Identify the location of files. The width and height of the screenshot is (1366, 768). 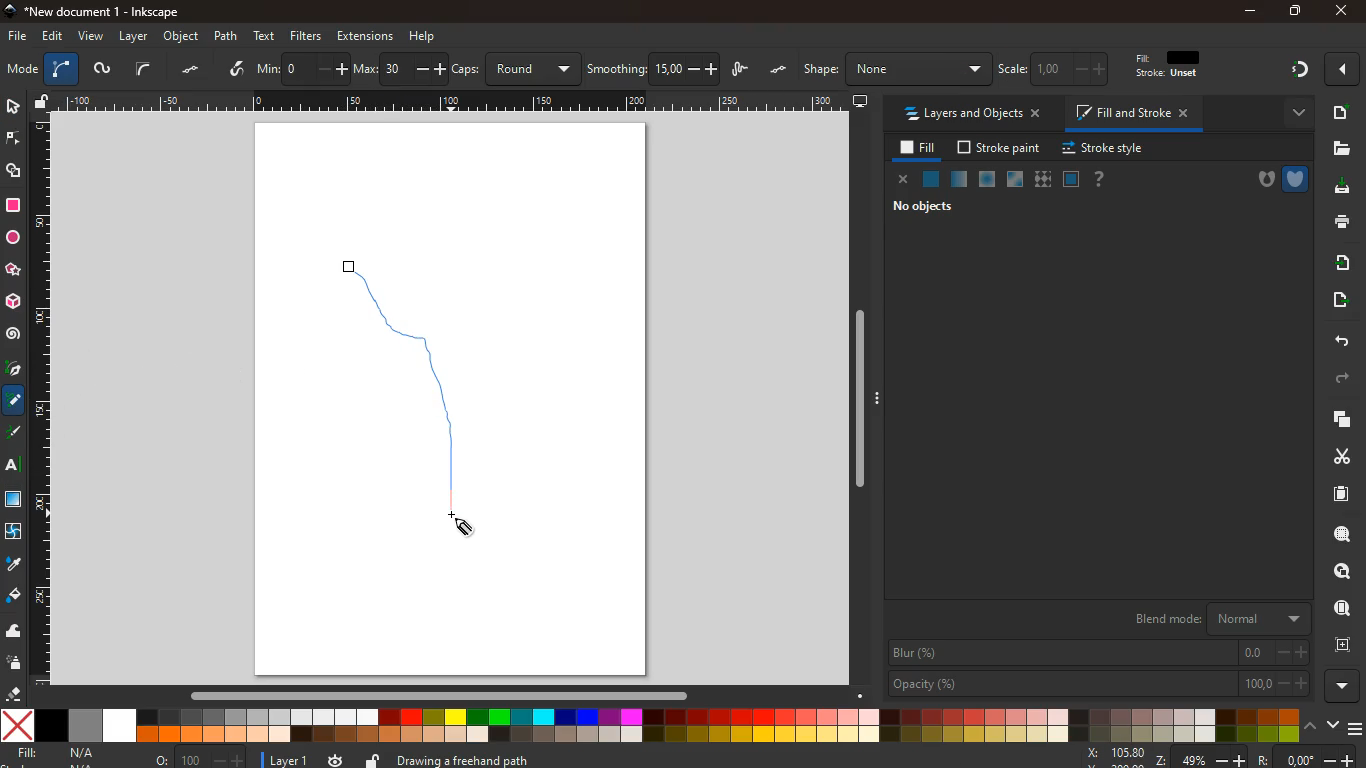
(1338, 148).